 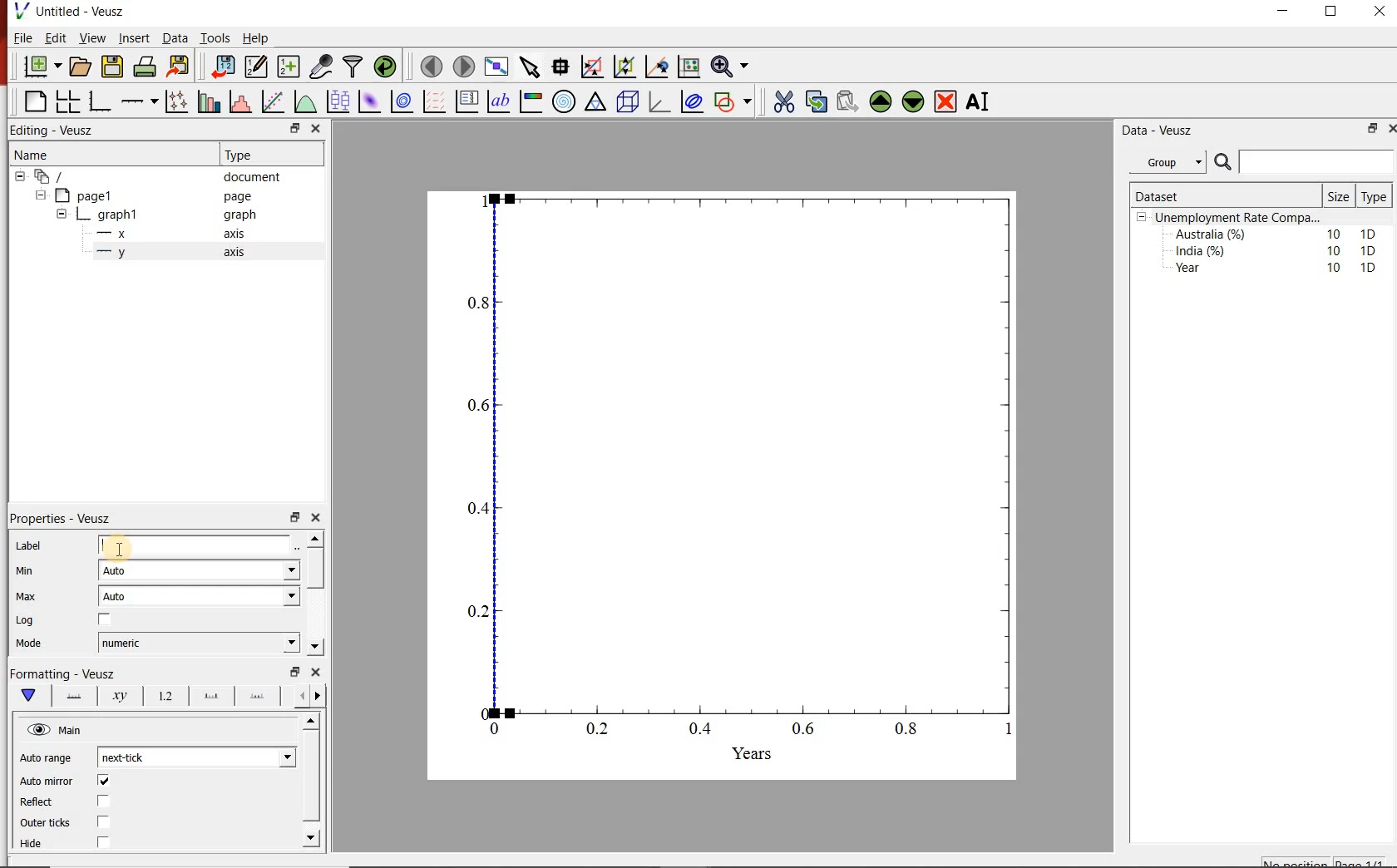 What do you see at coordinates (499, 101) in the screenshot?
I see `text label` at bounding box center [499, 101].